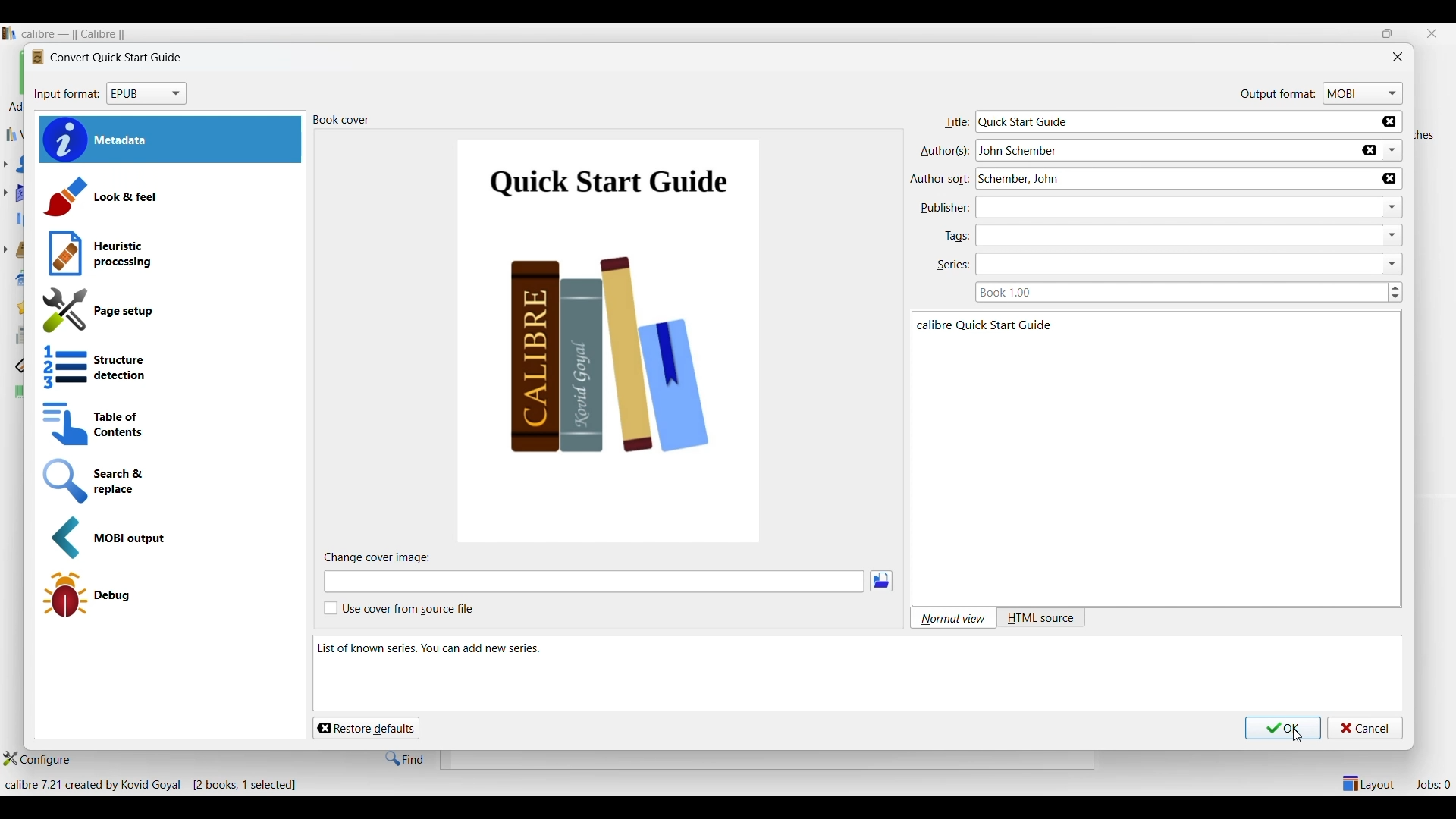 The width and height of the screenshot is (1456, 819). What do you see at coordinates (1433, 784) in the screenshot?
I see `Jobs` at bounding box center [1433, 784].